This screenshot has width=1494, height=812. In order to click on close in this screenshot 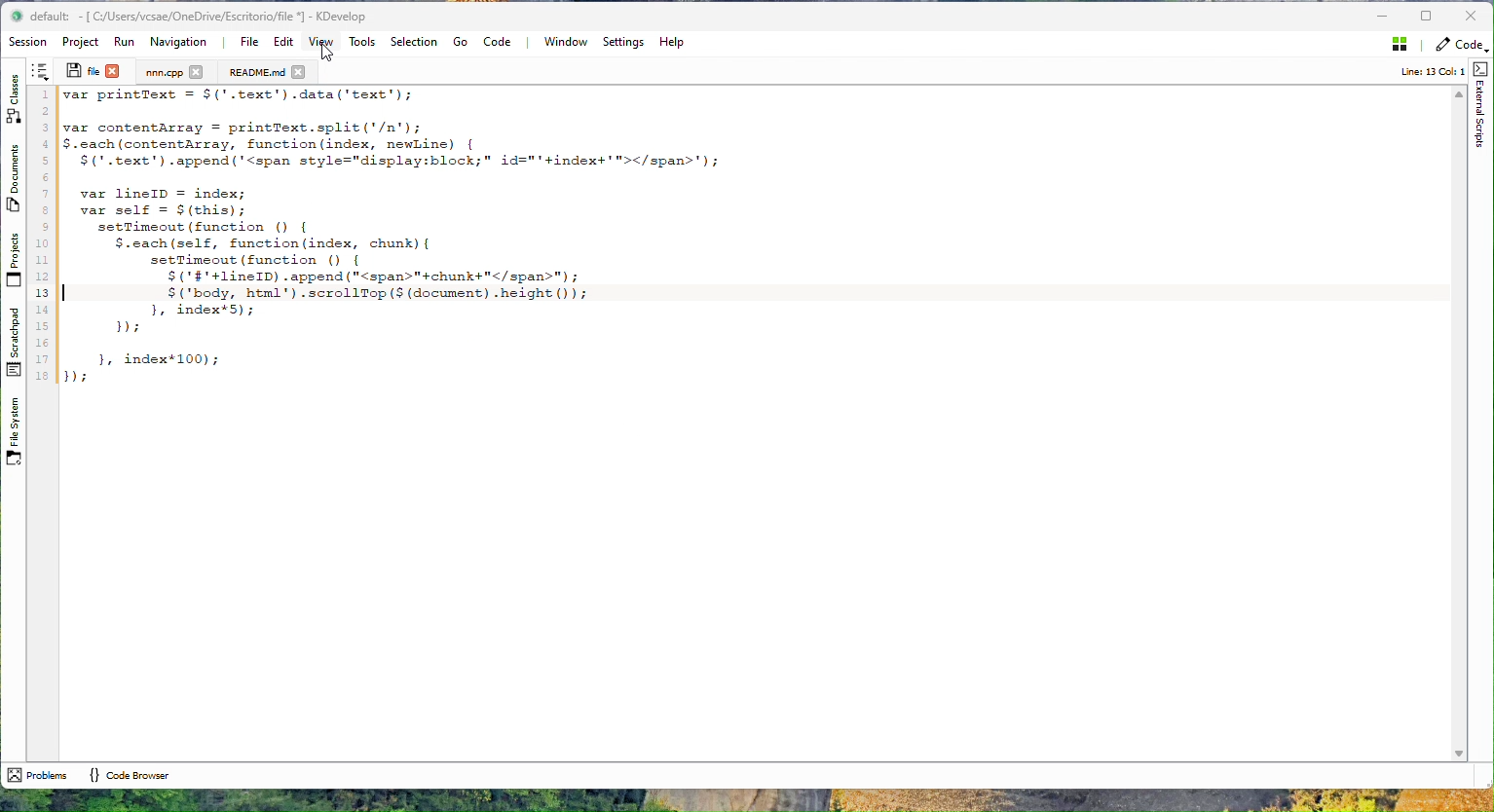, I will do `click(113, 70)`.